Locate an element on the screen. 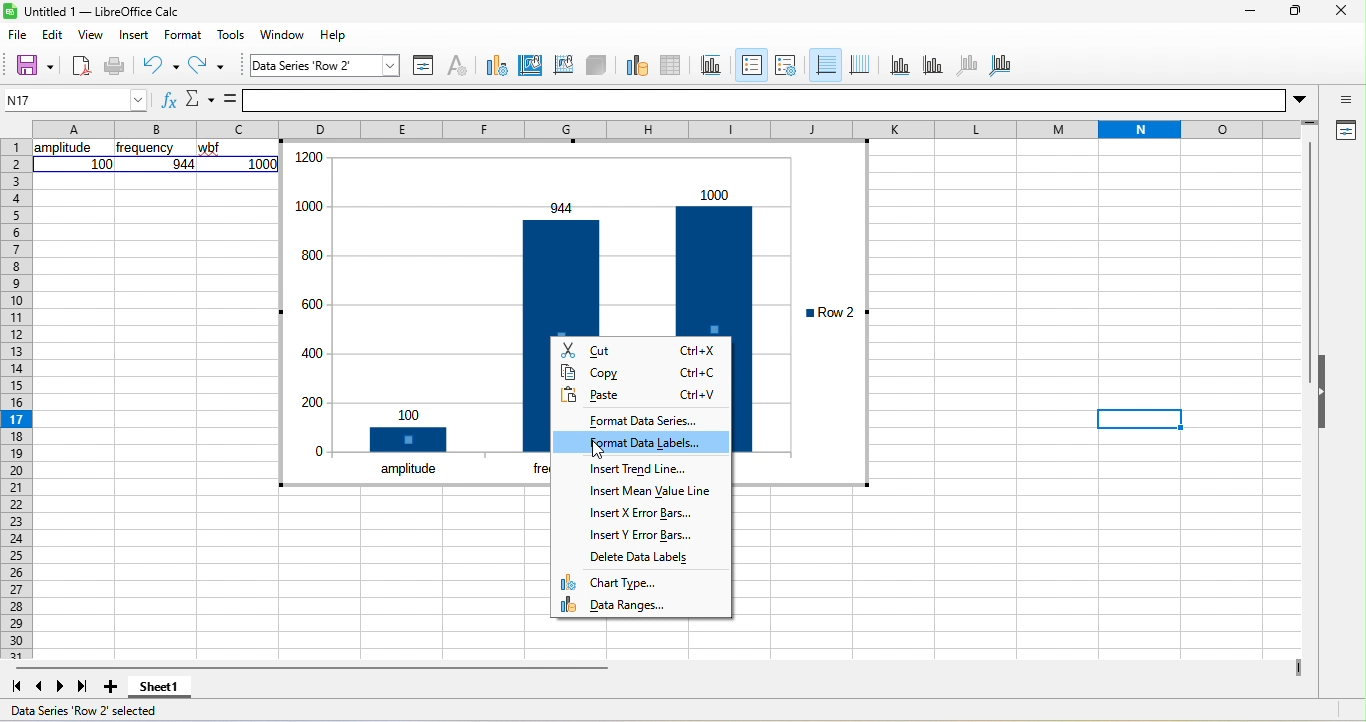  format data series is located at coordinates (646, 421).